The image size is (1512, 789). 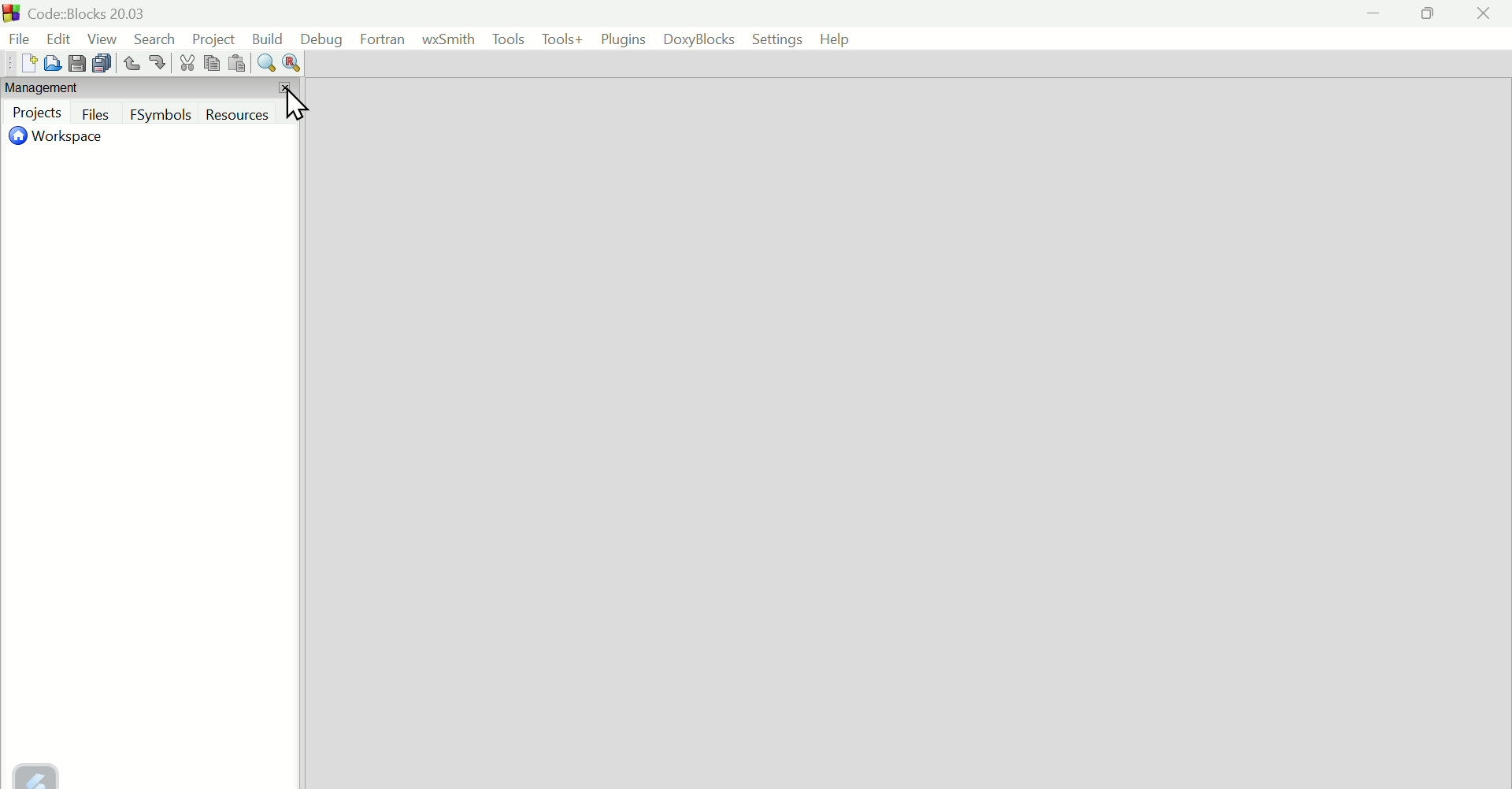 I want to click on Project, so click(x=38, y=112).